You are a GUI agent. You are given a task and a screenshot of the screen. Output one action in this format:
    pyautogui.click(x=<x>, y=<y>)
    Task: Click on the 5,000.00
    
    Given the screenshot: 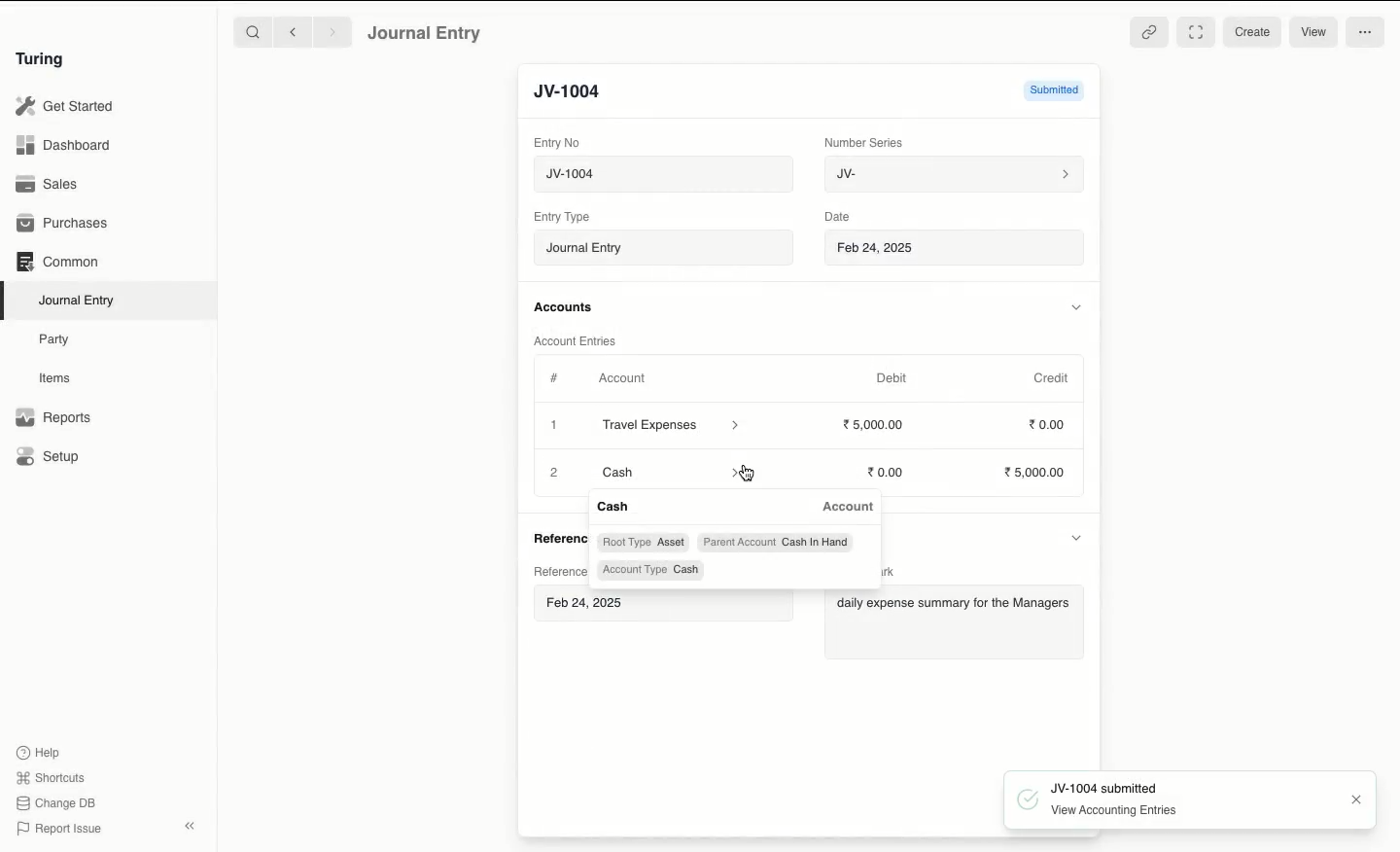 What is the action you would take?
    pyautogui.click(x=1039, y=473)
    